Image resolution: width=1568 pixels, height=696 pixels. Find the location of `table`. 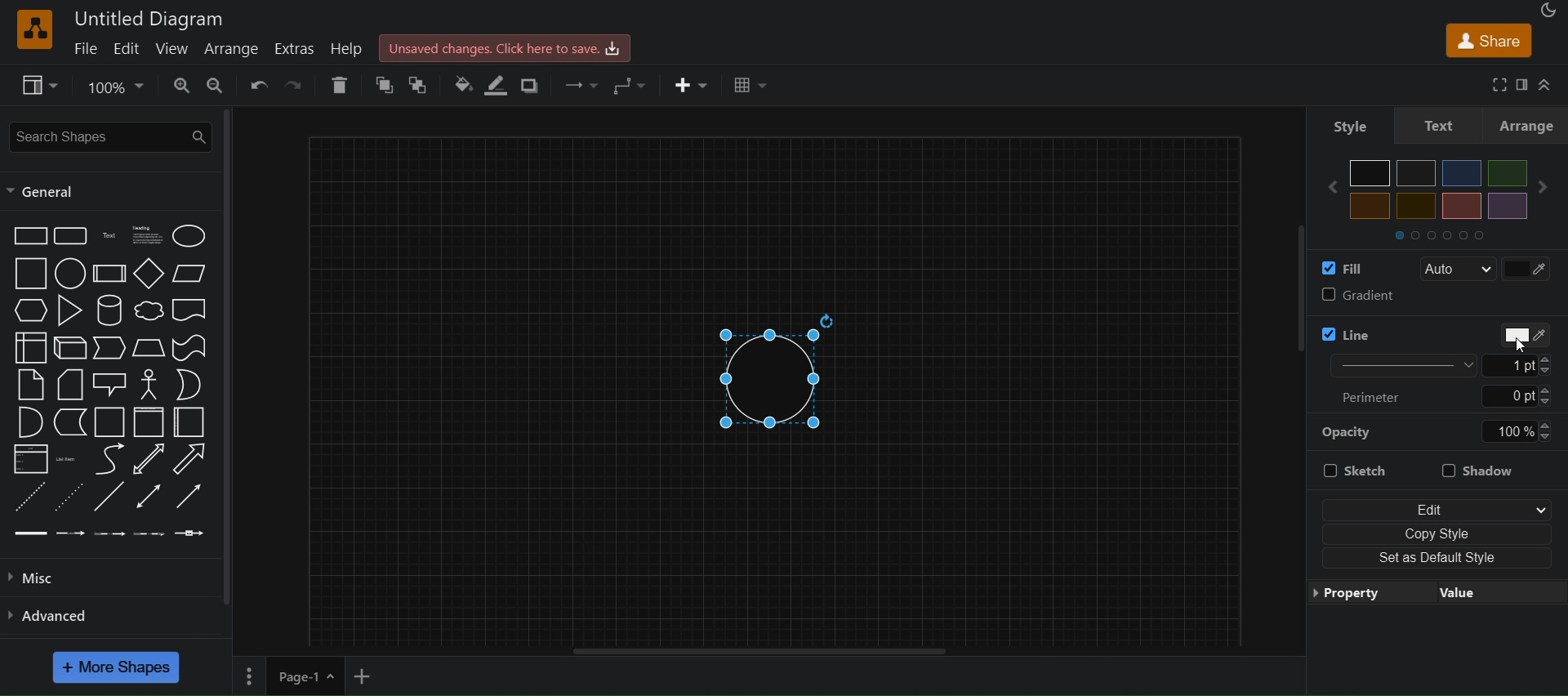

table is located at coordinates (752, 86).